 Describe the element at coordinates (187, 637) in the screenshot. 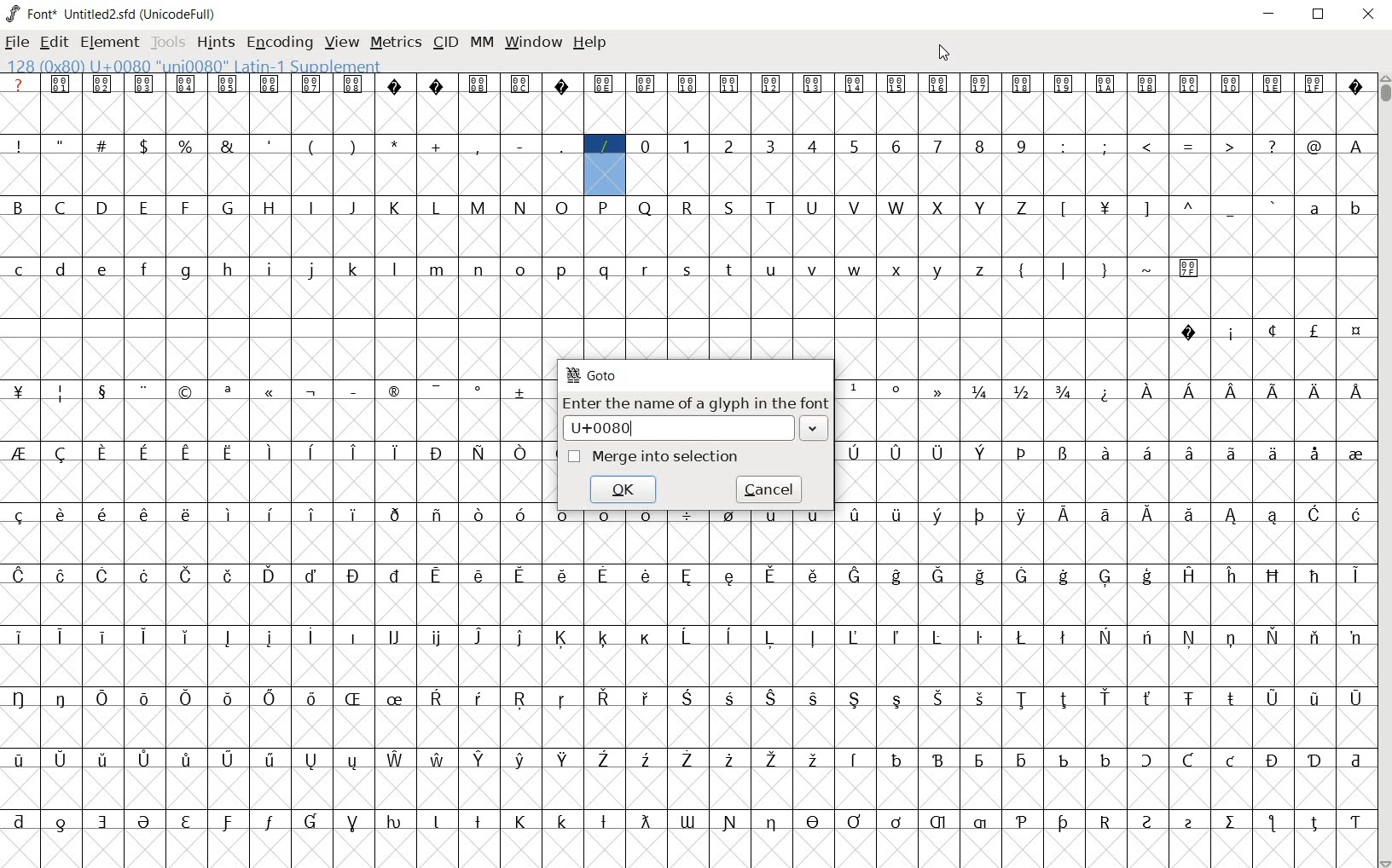

I see `glyph` at that location.